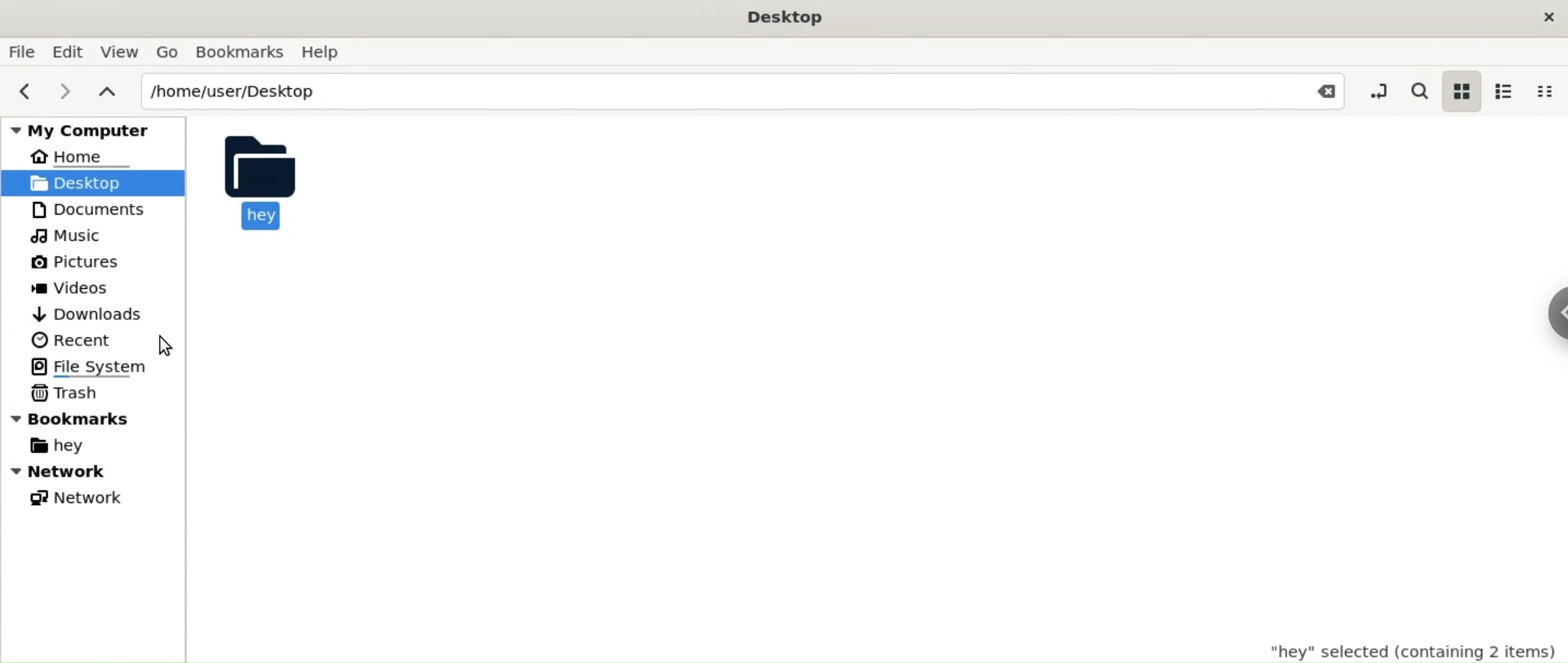 The image size is (1568, 663). I want to click on Edit, so click(69, 51).